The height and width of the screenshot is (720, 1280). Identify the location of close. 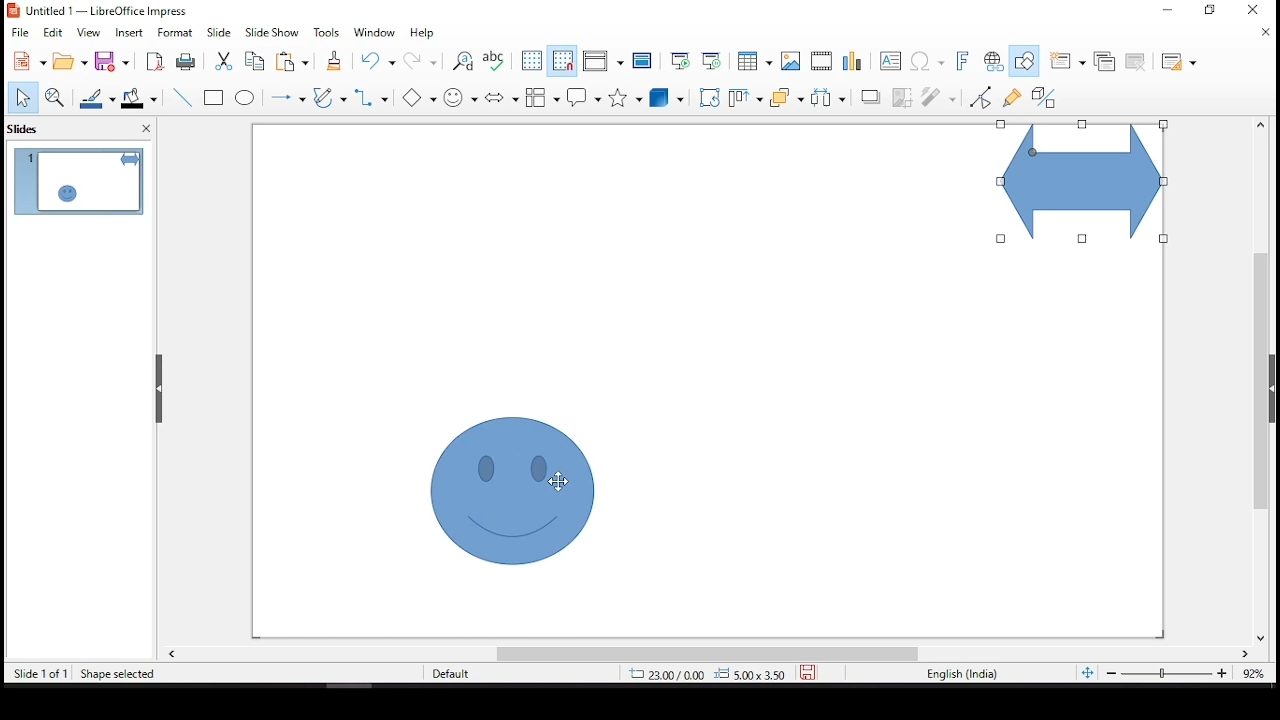
(1268, 34).